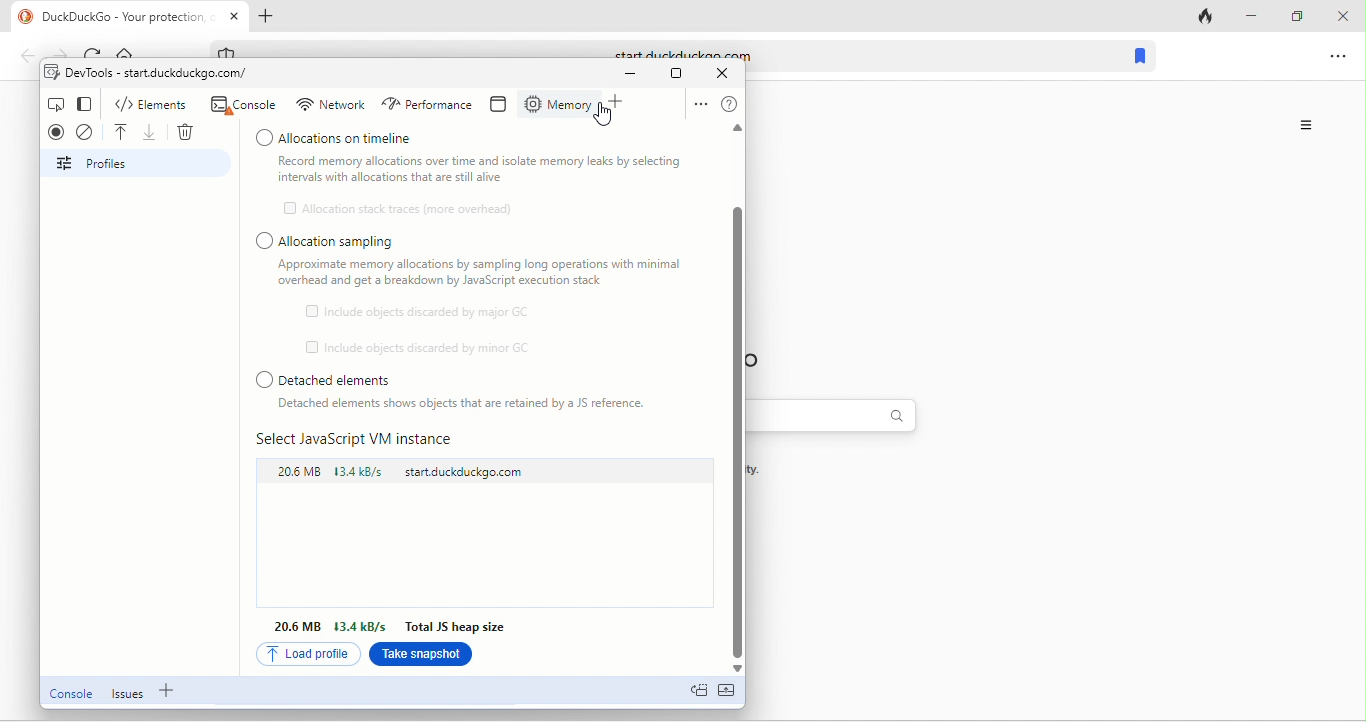 This screenshot has width=1366, height=722. What do you see at coordinates (420, 657) in the screenshot?
I see `take snapshot` at bounding box center [420, 657].